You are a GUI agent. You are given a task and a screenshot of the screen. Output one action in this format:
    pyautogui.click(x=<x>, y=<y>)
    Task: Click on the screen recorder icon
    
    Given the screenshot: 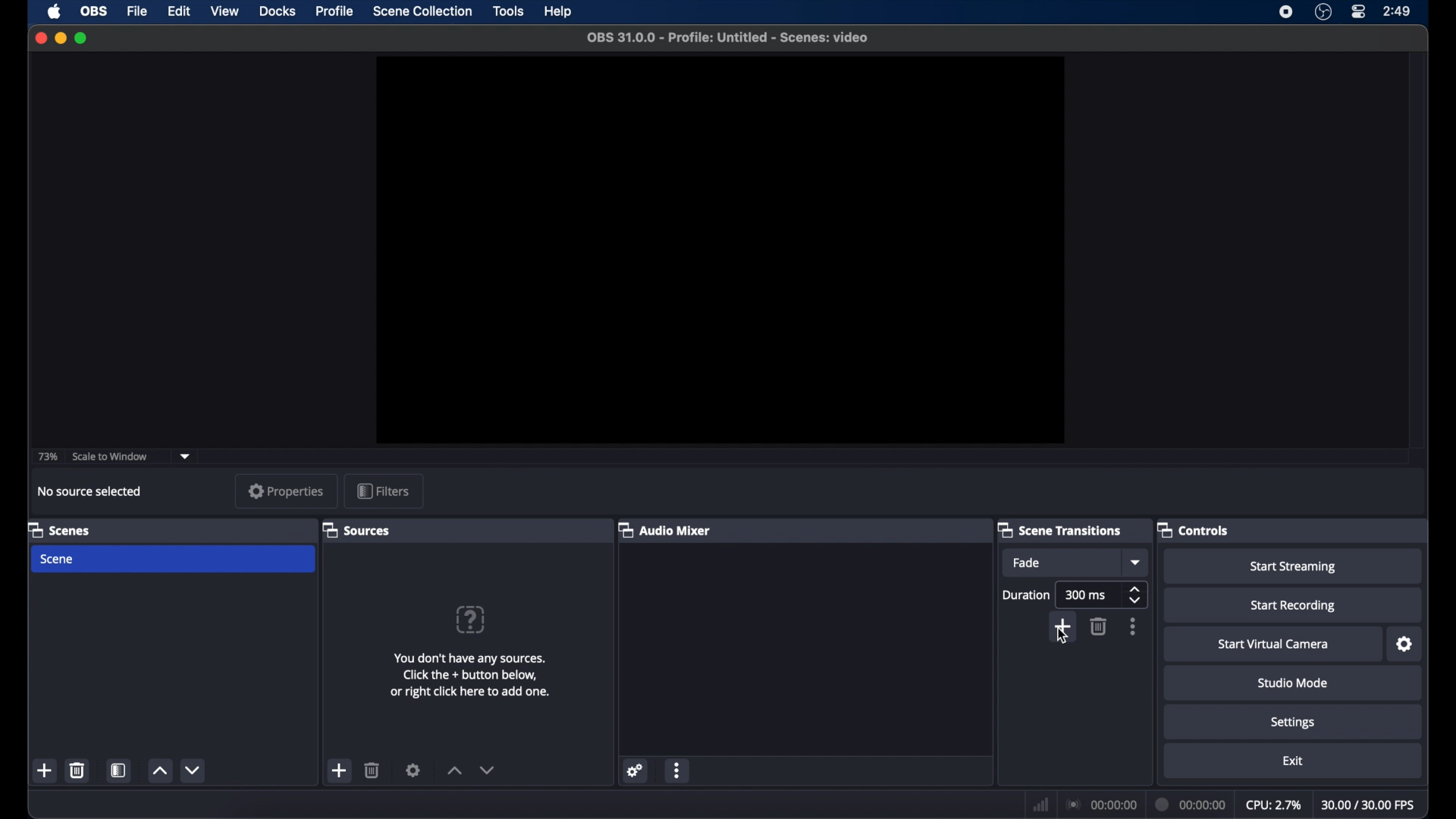 What is the action you would take?
    pyautogui.click(x=1286, y=11)
    